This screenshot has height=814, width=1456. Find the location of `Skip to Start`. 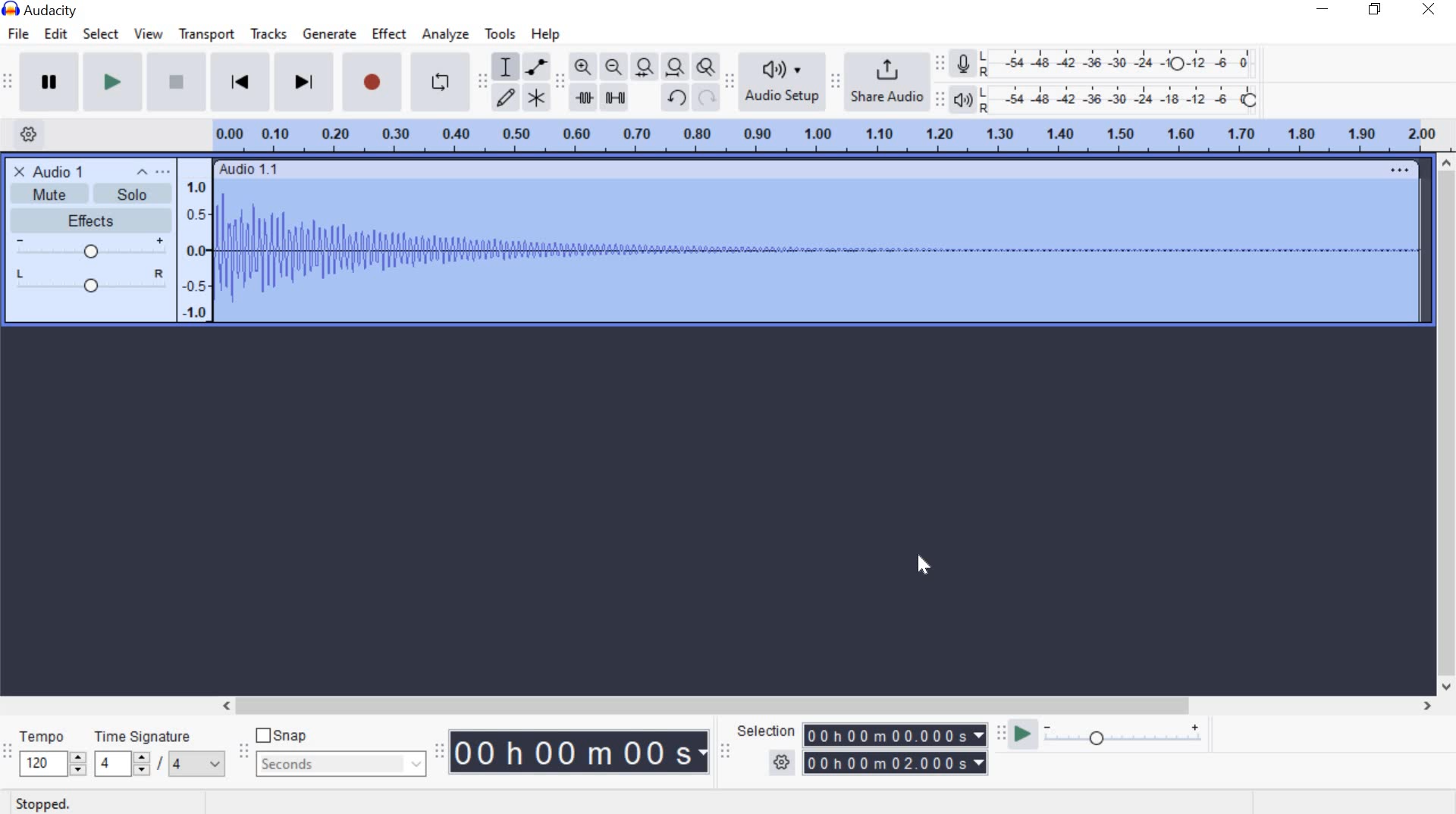

Skip to Start is located at coordinates (240, 80).